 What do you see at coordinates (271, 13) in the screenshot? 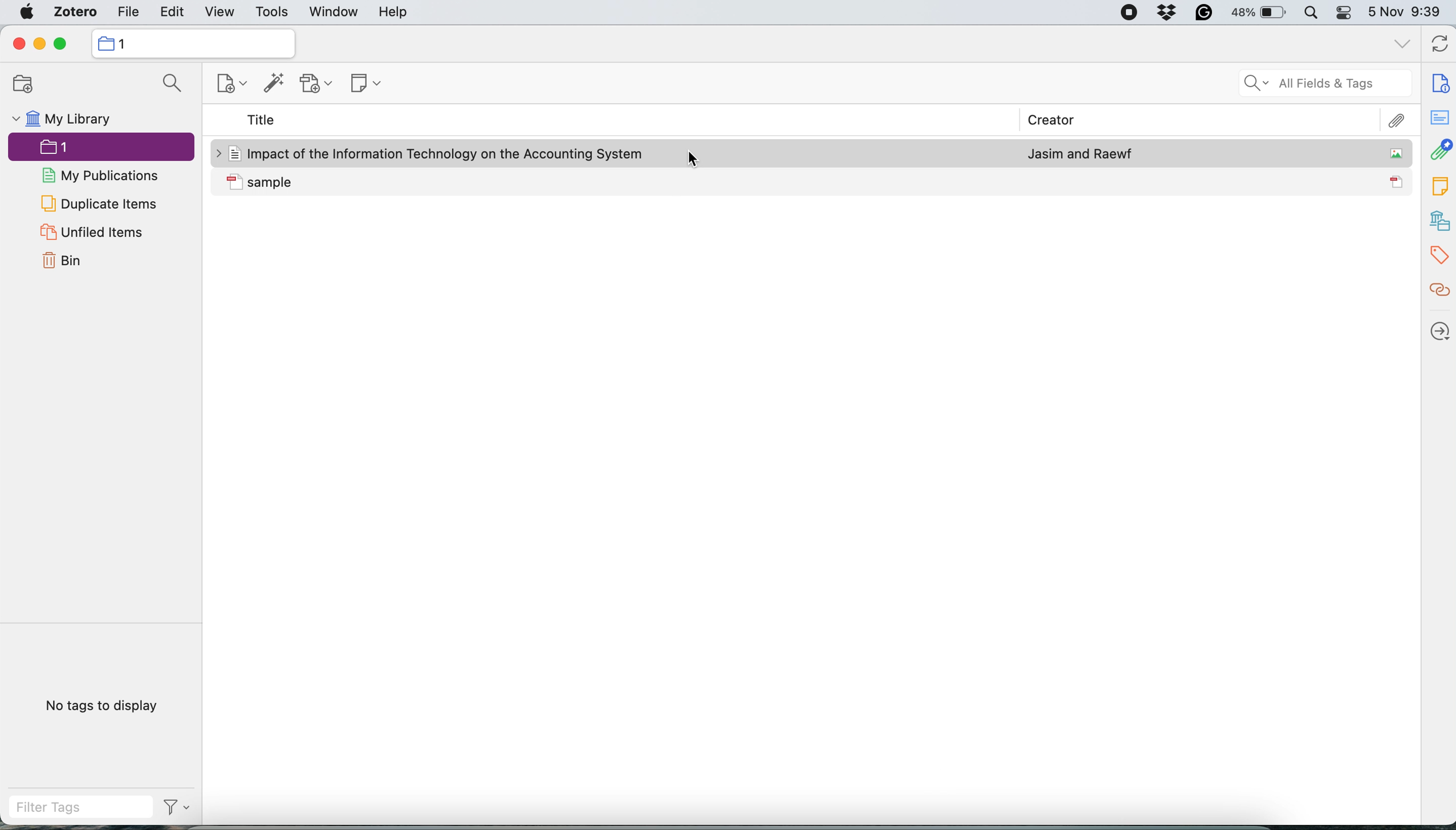
I see `tools` at bounding box center [271, 13].